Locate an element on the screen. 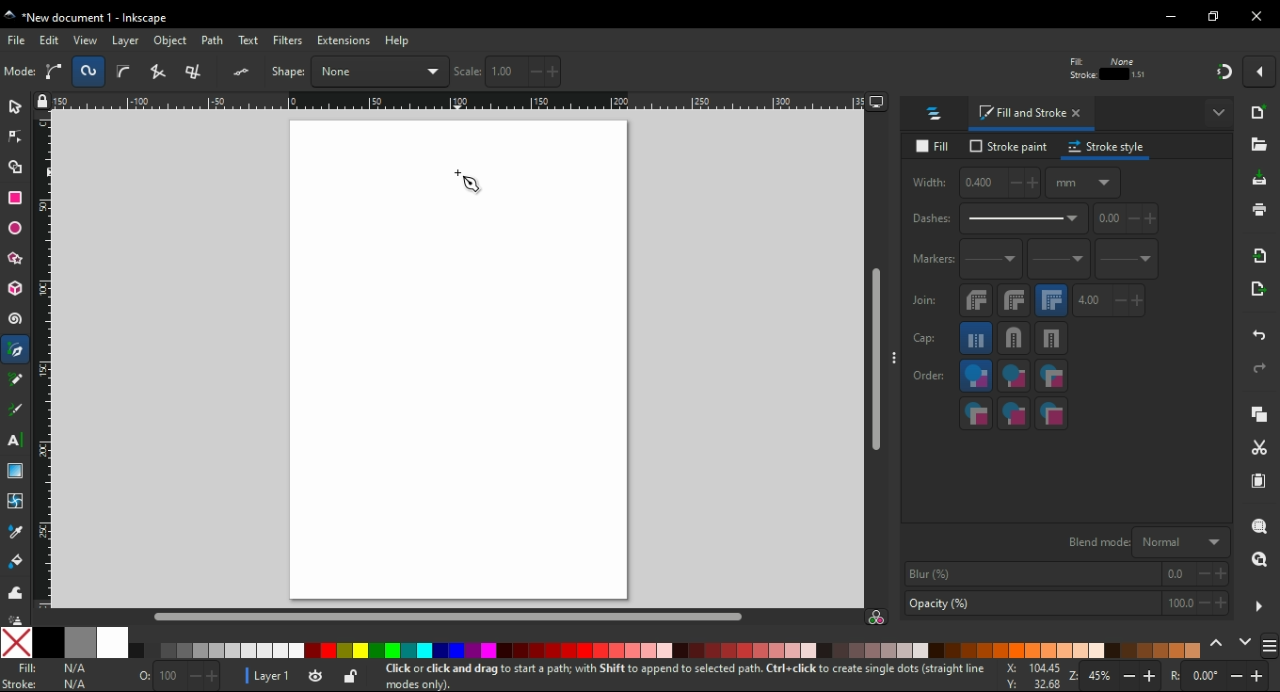 The width and height of the screenshot is (1280, 692). stroke style is located at coordinates (1107, 147).